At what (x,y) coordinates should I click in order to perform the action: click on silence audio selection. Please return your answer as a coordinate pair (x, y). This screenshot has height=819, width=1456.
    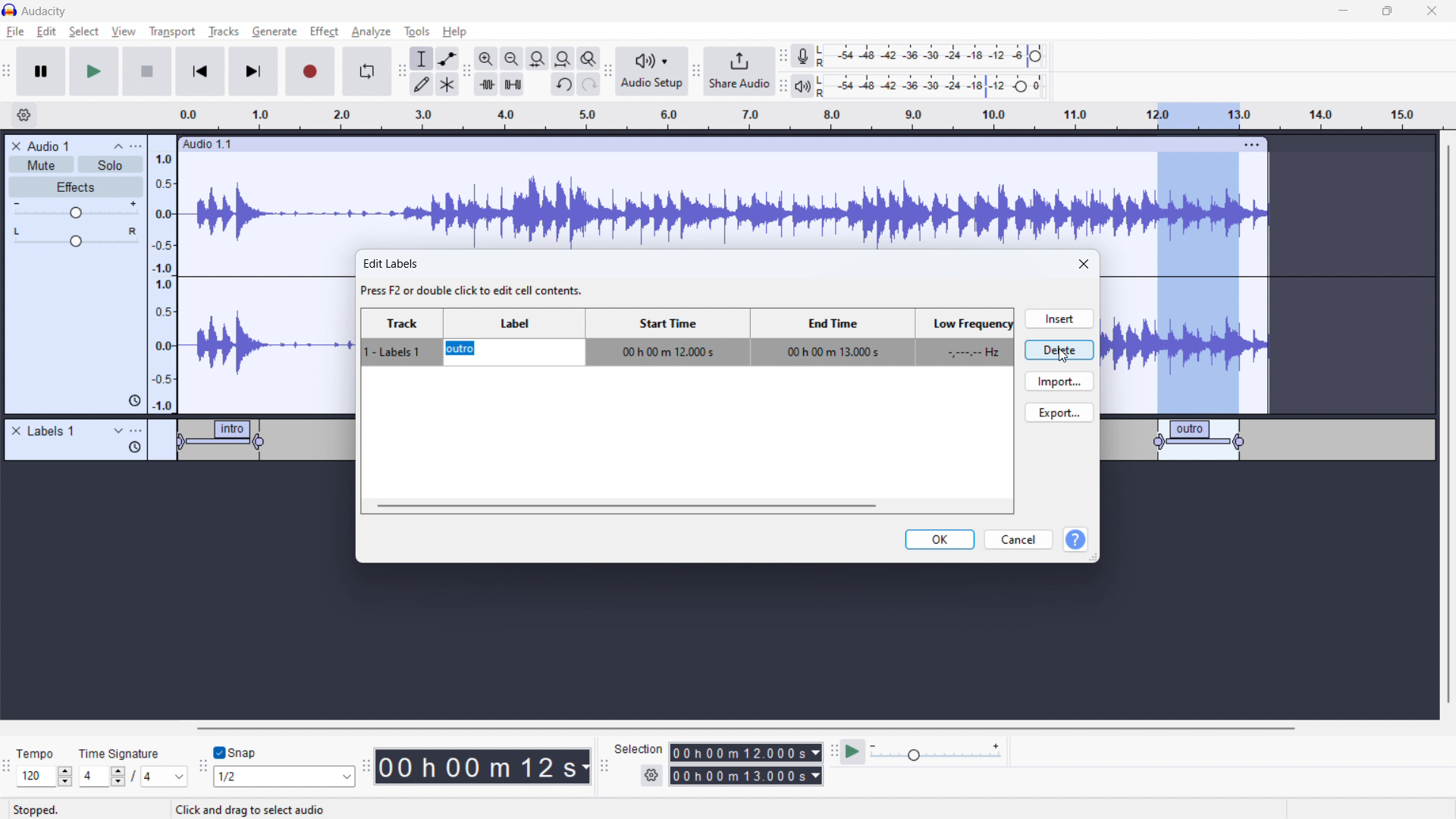
    Looking at the image, I should click on (513, 84).